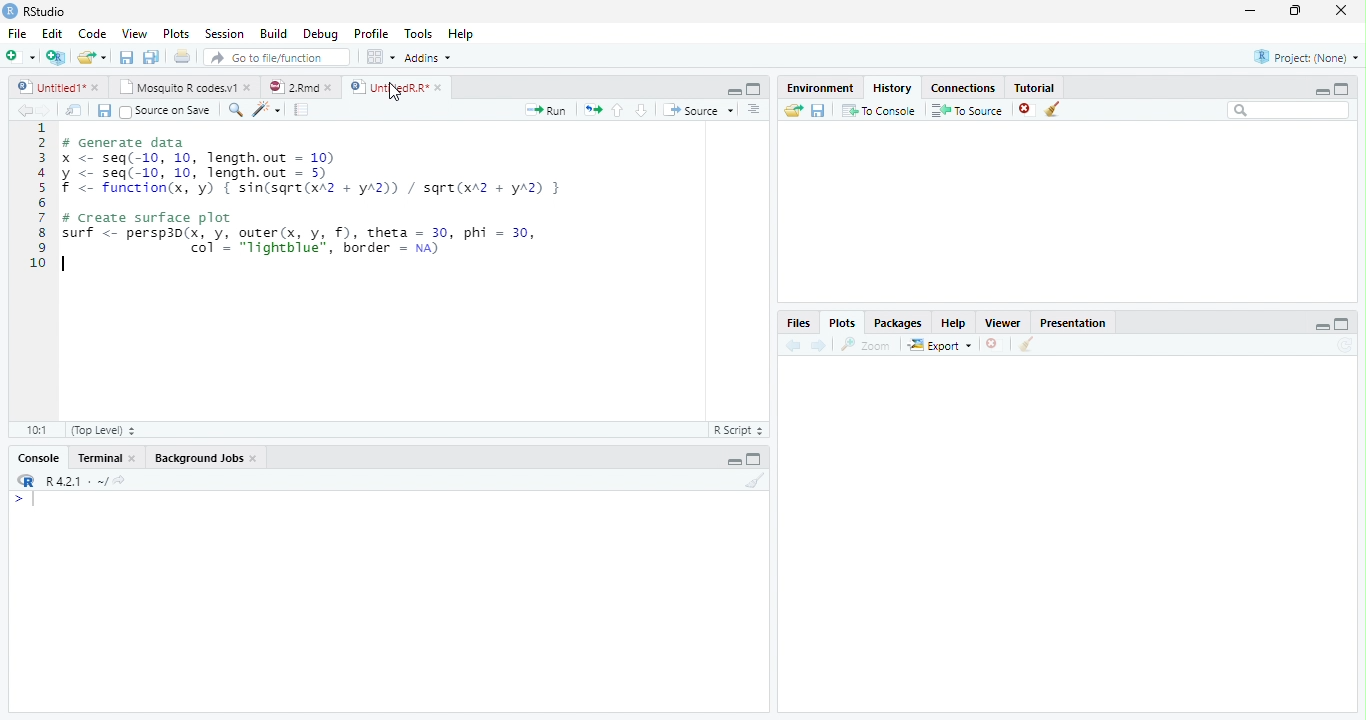 The height and width of the screenshot is (720, 1366). What do you see at coordinates (99, 458) in the screenshot?
I see `Terminal` at bounding box center [99, 458].